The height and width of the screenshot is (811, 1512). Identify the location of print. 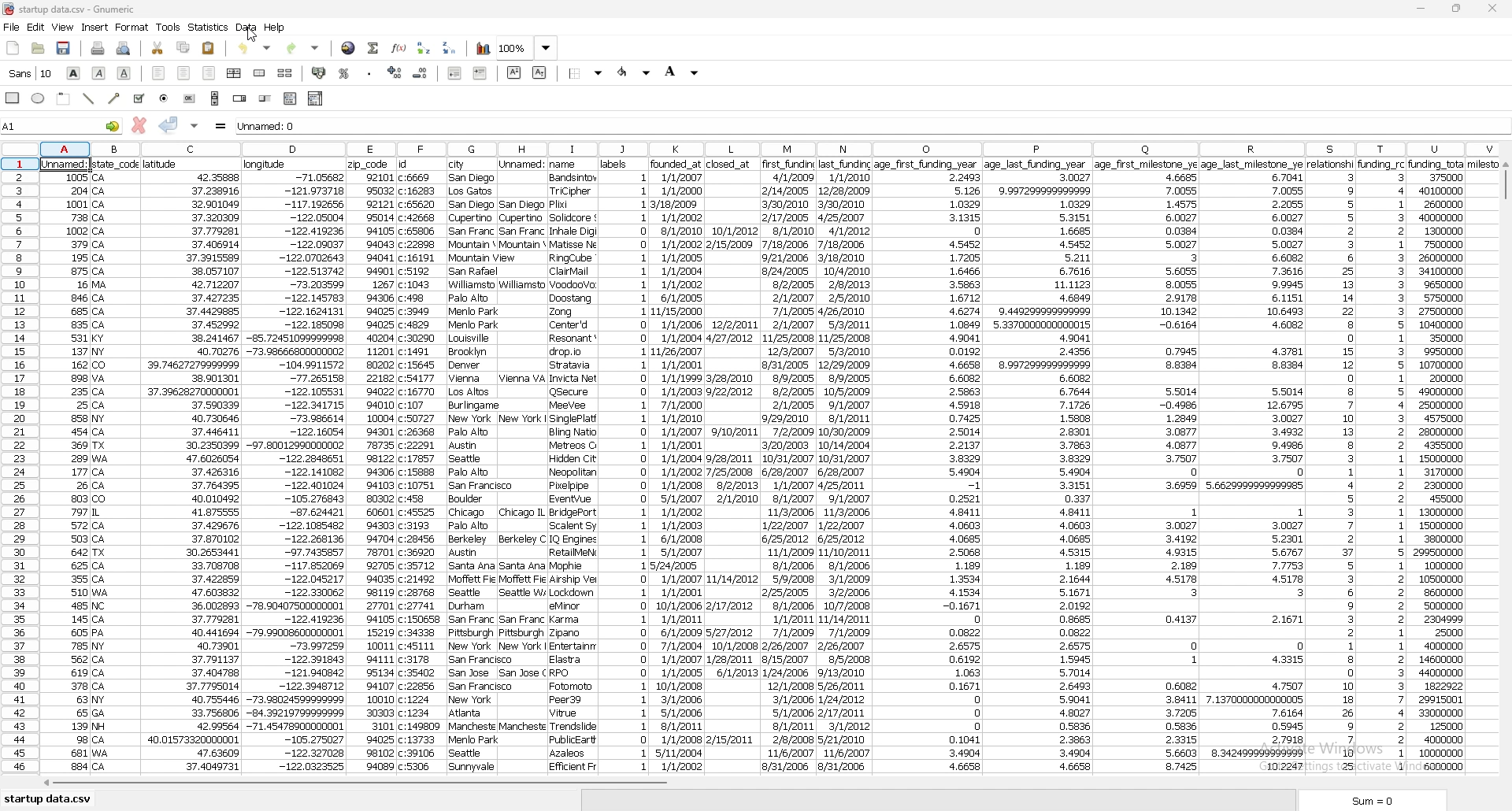
(97, 49).